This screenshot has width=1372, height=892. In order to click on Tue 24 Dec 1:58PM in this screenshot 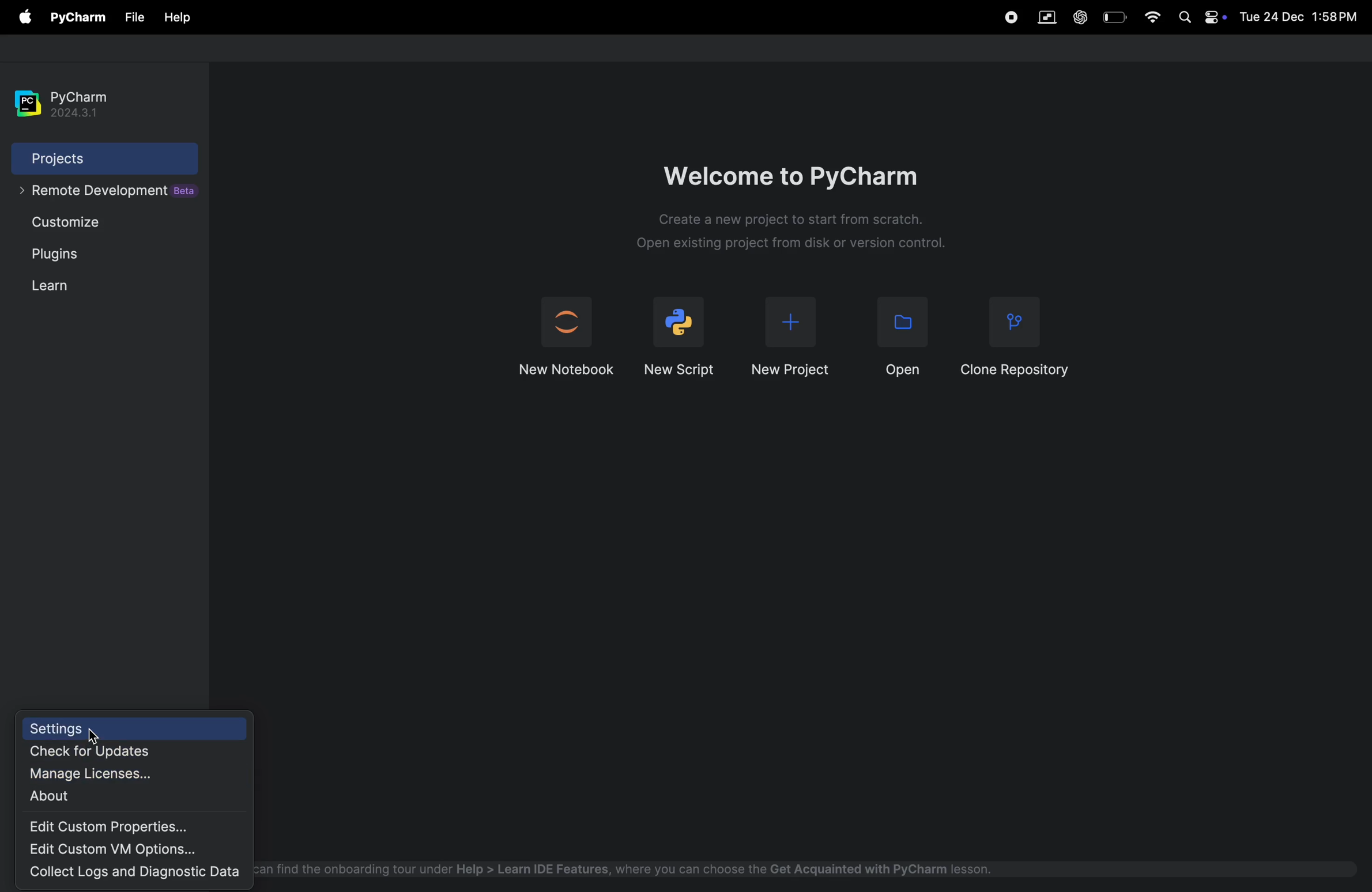, I will do `click(1301, 18)`.